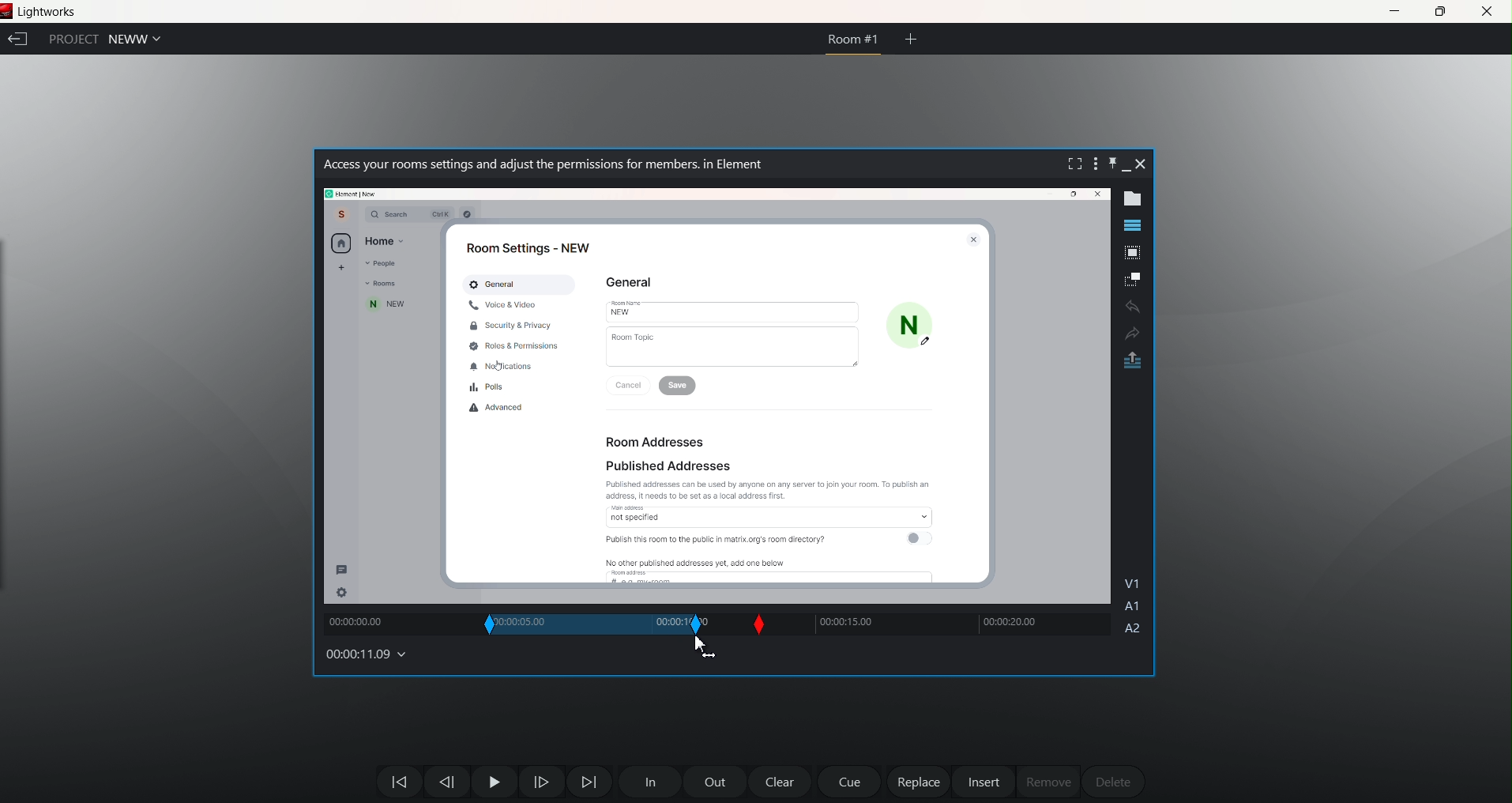 The image size is (1512, 803). What do you see at coordinates (366, 652) in the screenshot?
I see `00:00:11.09 (time changed)` at bounding box center [366, 652].